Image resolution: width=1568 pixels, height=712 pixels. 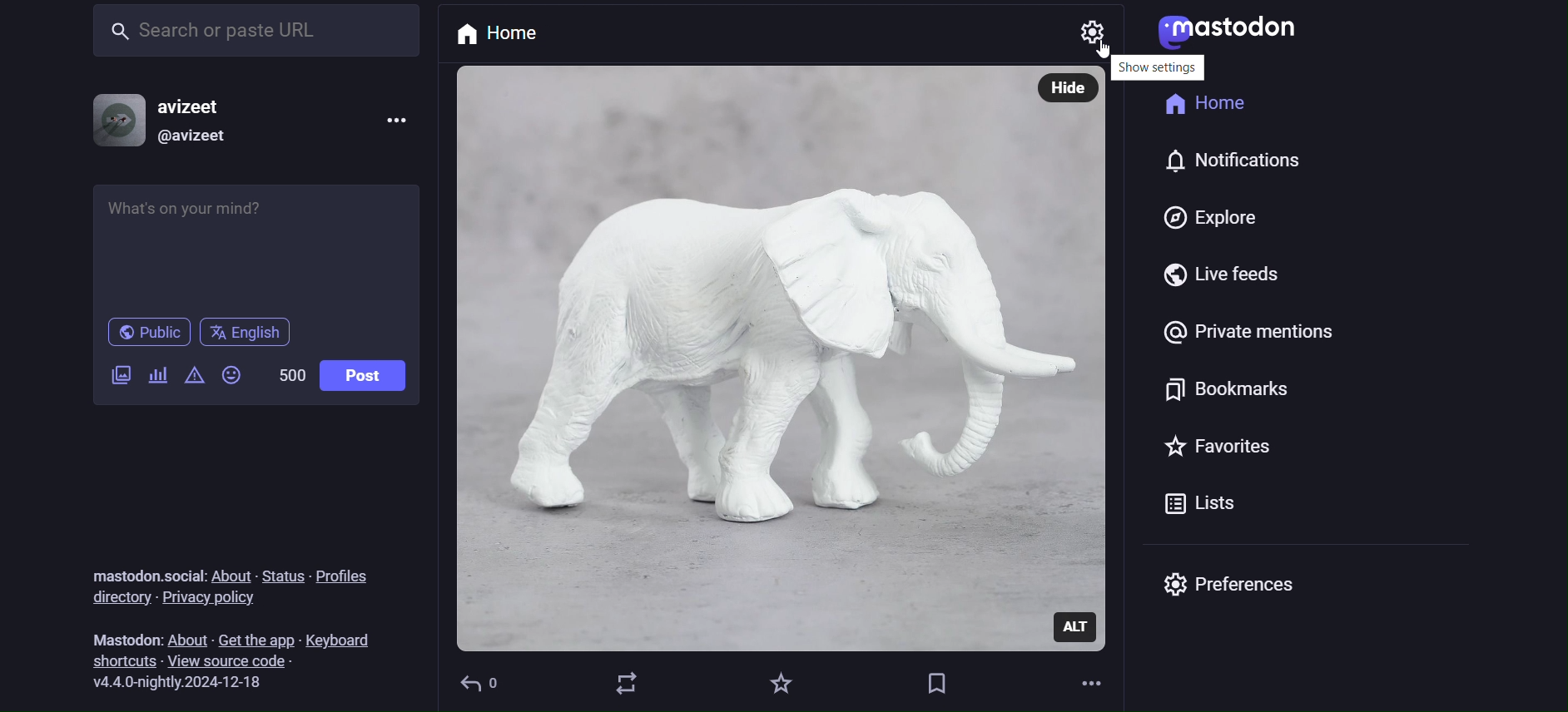 I want to click on View source code, so click(x=241, y=661).